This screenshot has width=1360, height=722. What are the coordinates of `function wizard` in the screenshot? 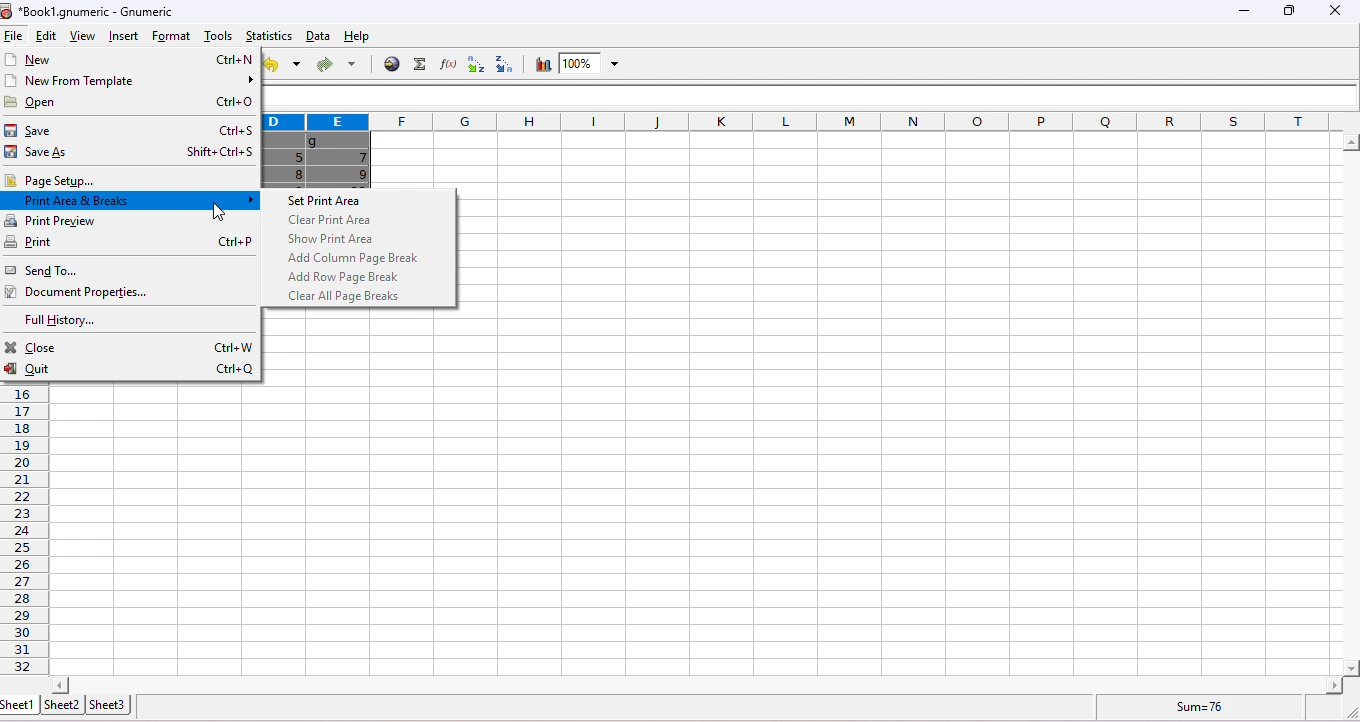 It's located at (445, 64).